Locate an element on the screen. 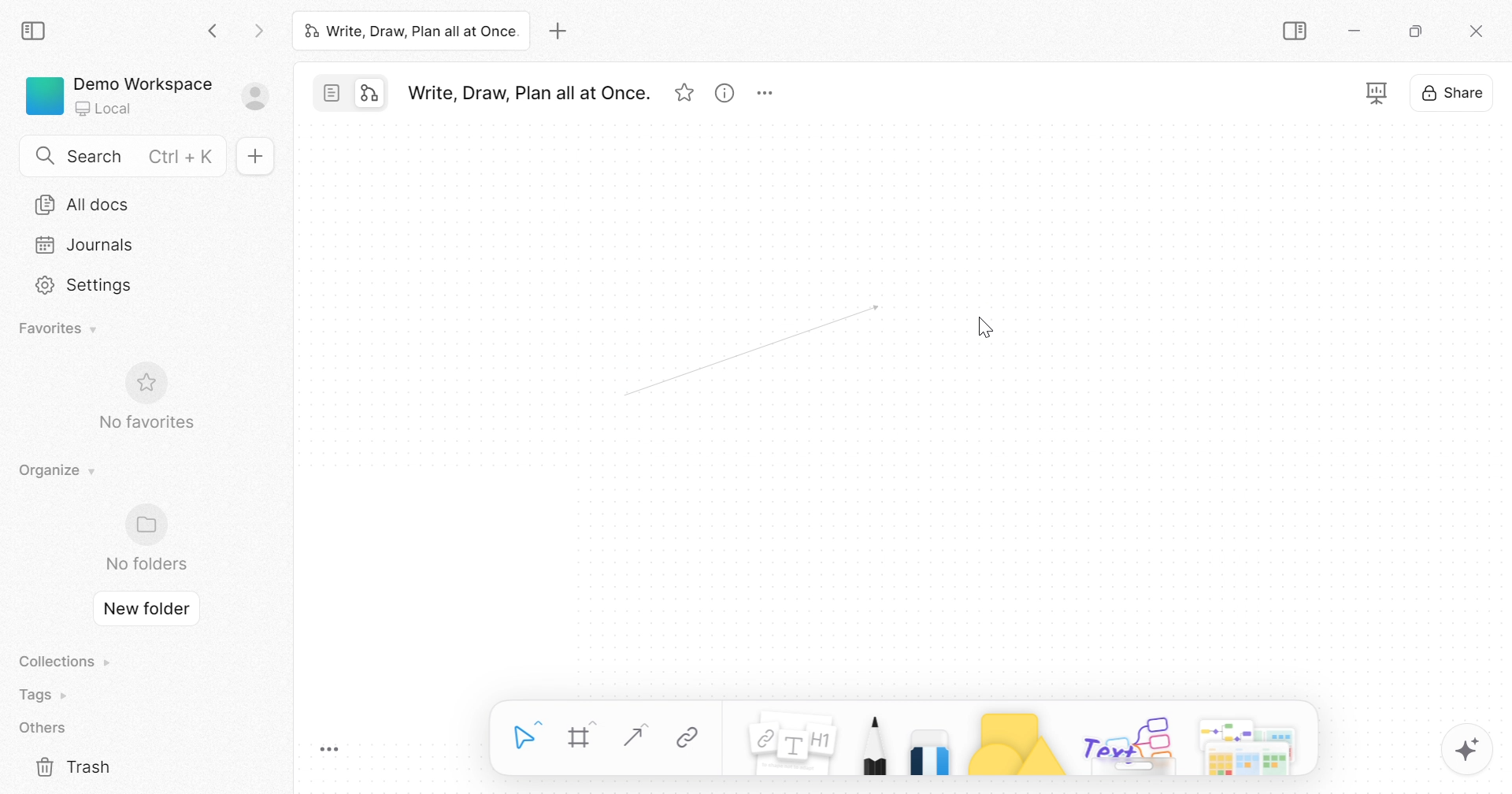 This screenshot has width=1512, height=794. Favorites is located at coordinates (61, 327).